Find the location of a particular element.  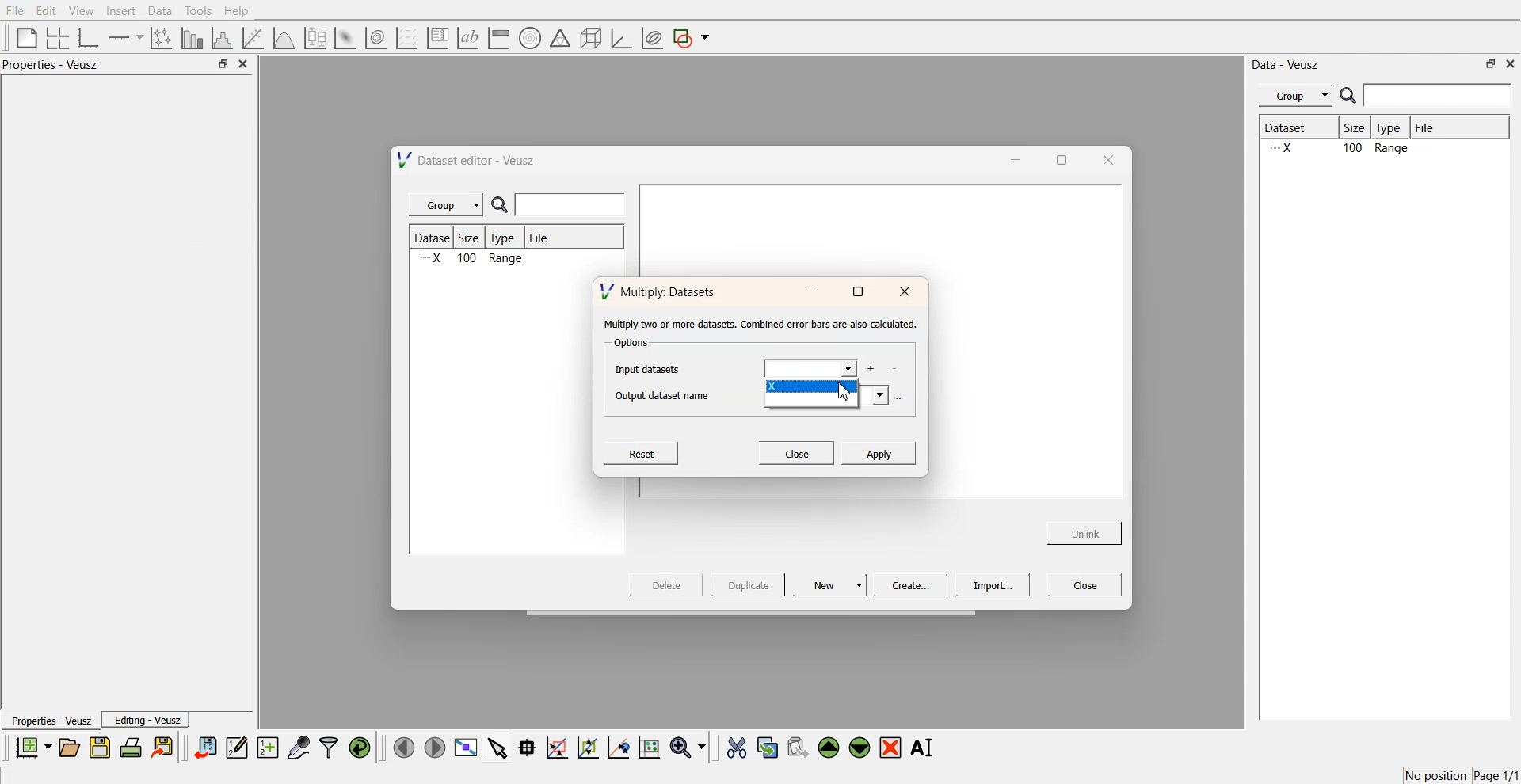

Close is located at coordinates (1085, 584).